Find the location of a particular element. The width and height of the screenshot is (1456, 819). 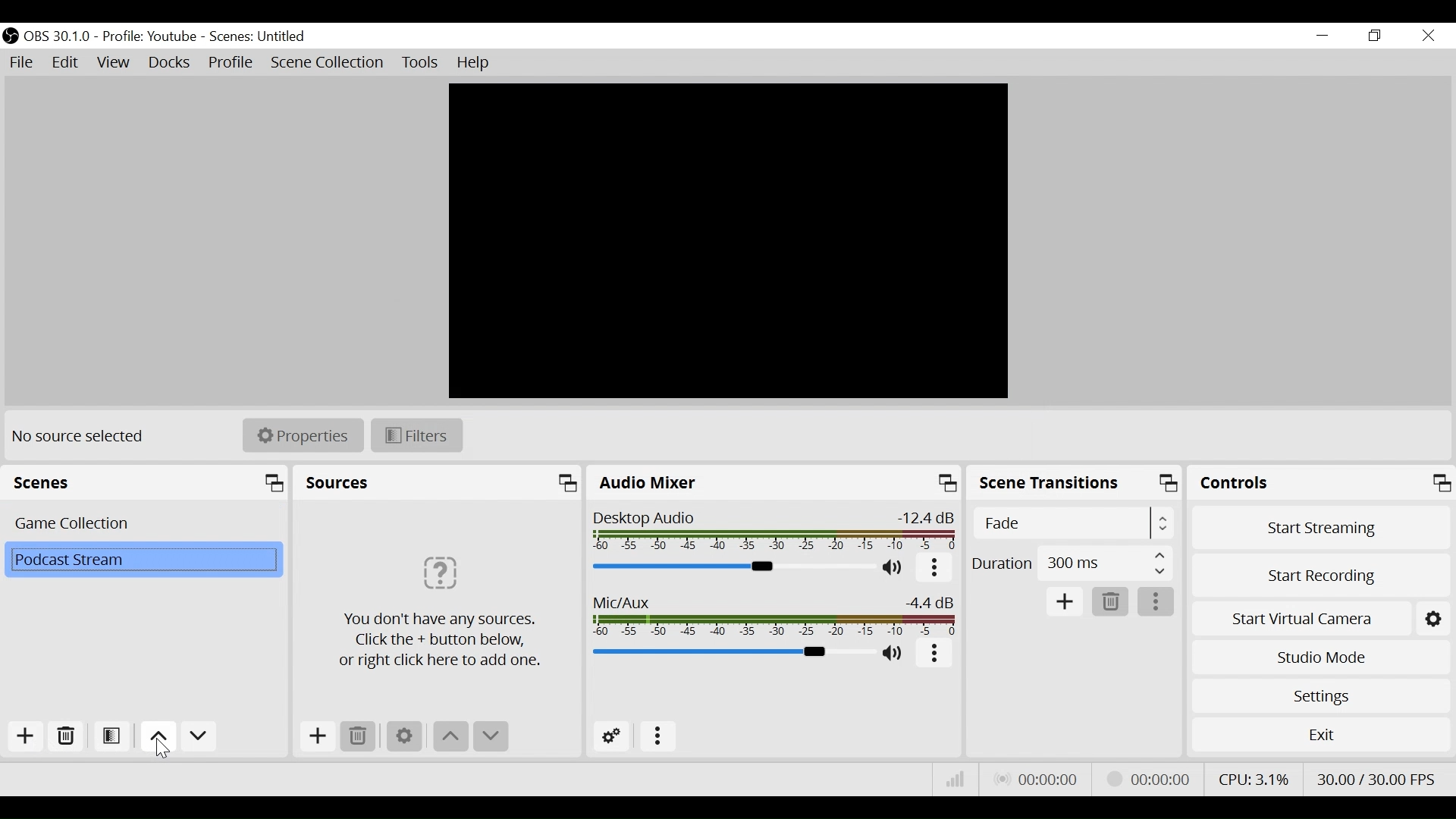

Scenes Name is located at coordinates (262, 36).